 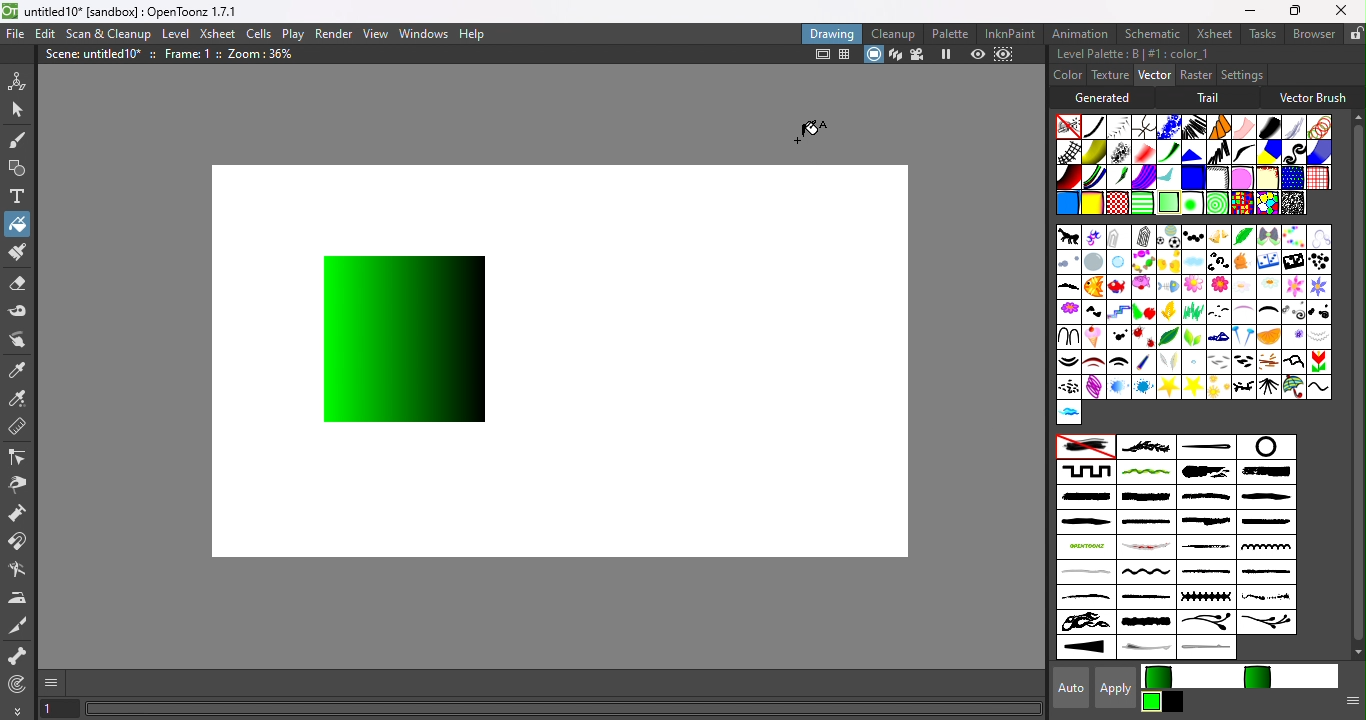 I want to click on medium_brush4, so click(x=1204, y=522).